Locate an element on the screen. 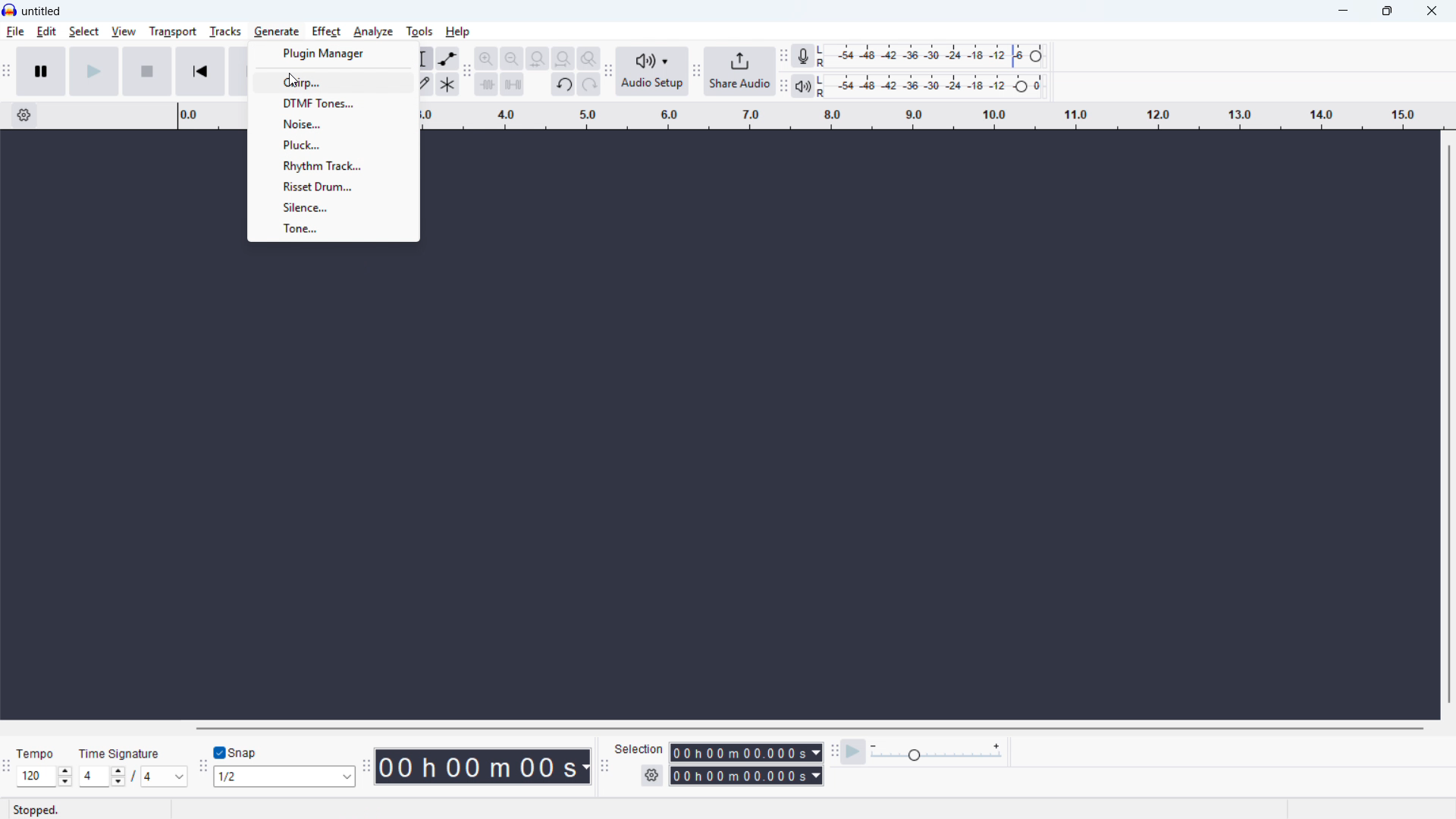 The height and width of the screenshot is (819, 1456). Set snapping  is located at coordinates (284, 777).